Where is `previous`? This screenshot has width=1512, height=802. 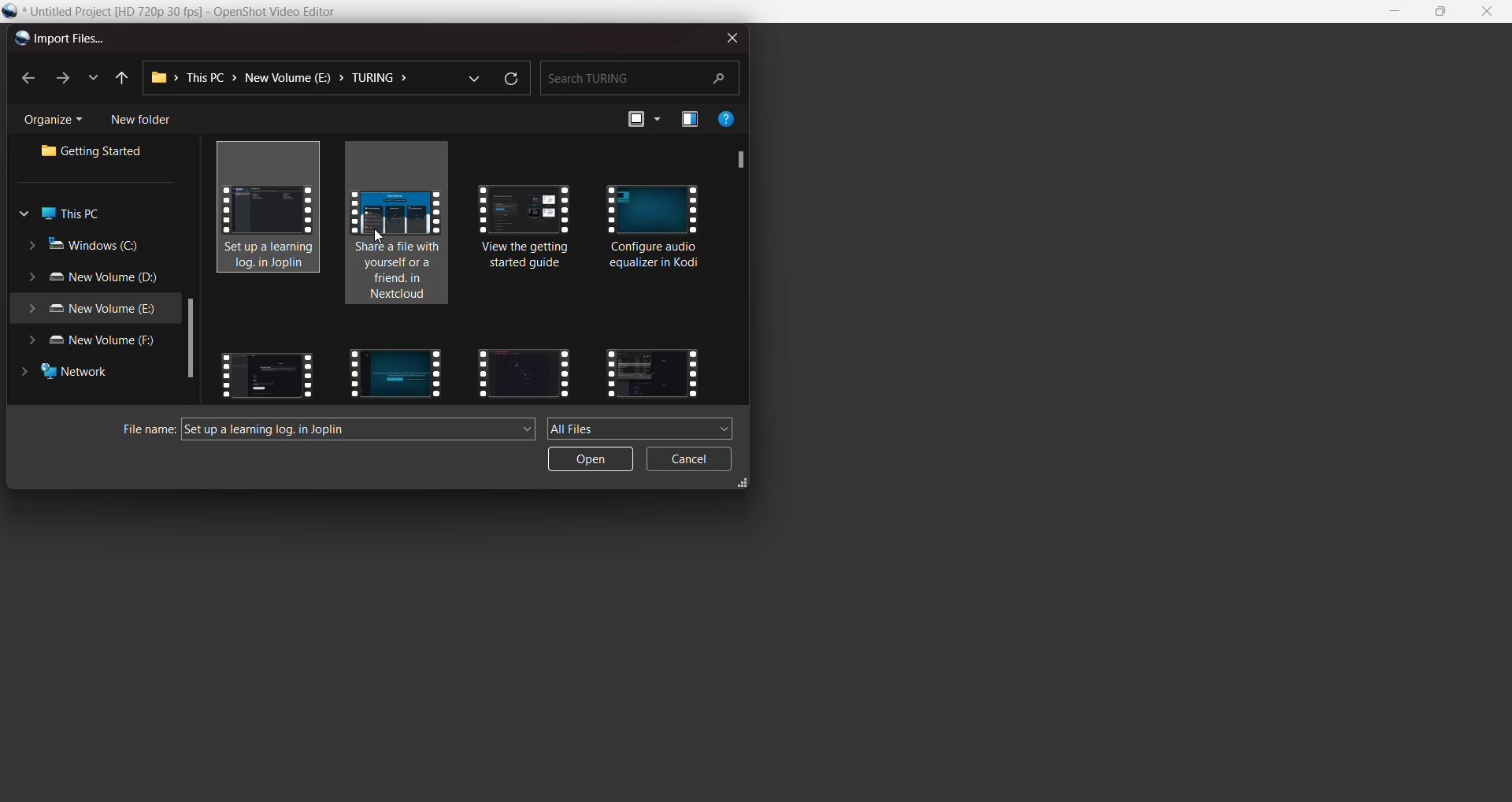
previous is located at coordinates (120, 79).